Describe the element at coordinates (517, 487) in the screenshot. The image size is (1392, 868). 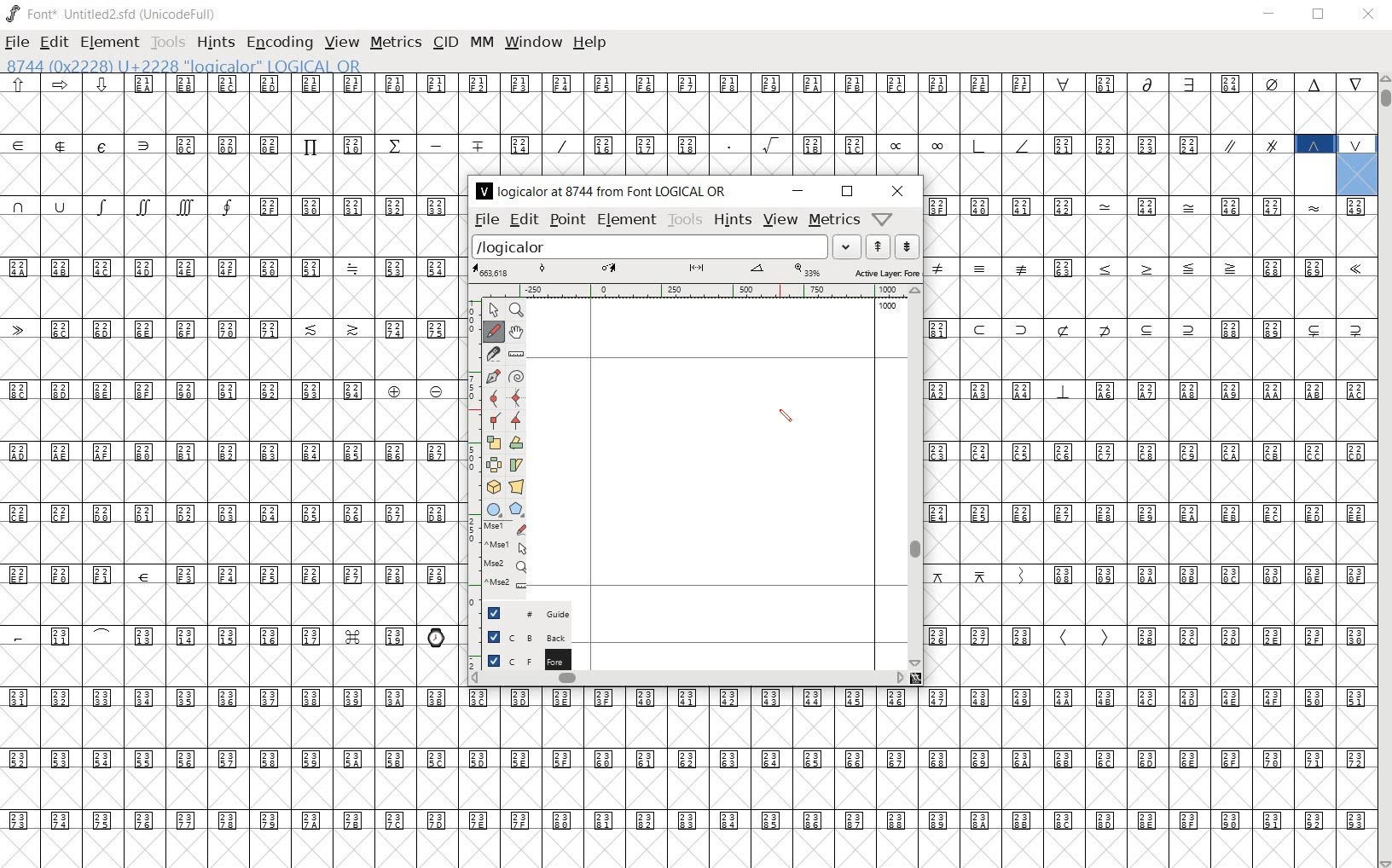
I see `perform a perspective transformation on the selection` at that location.